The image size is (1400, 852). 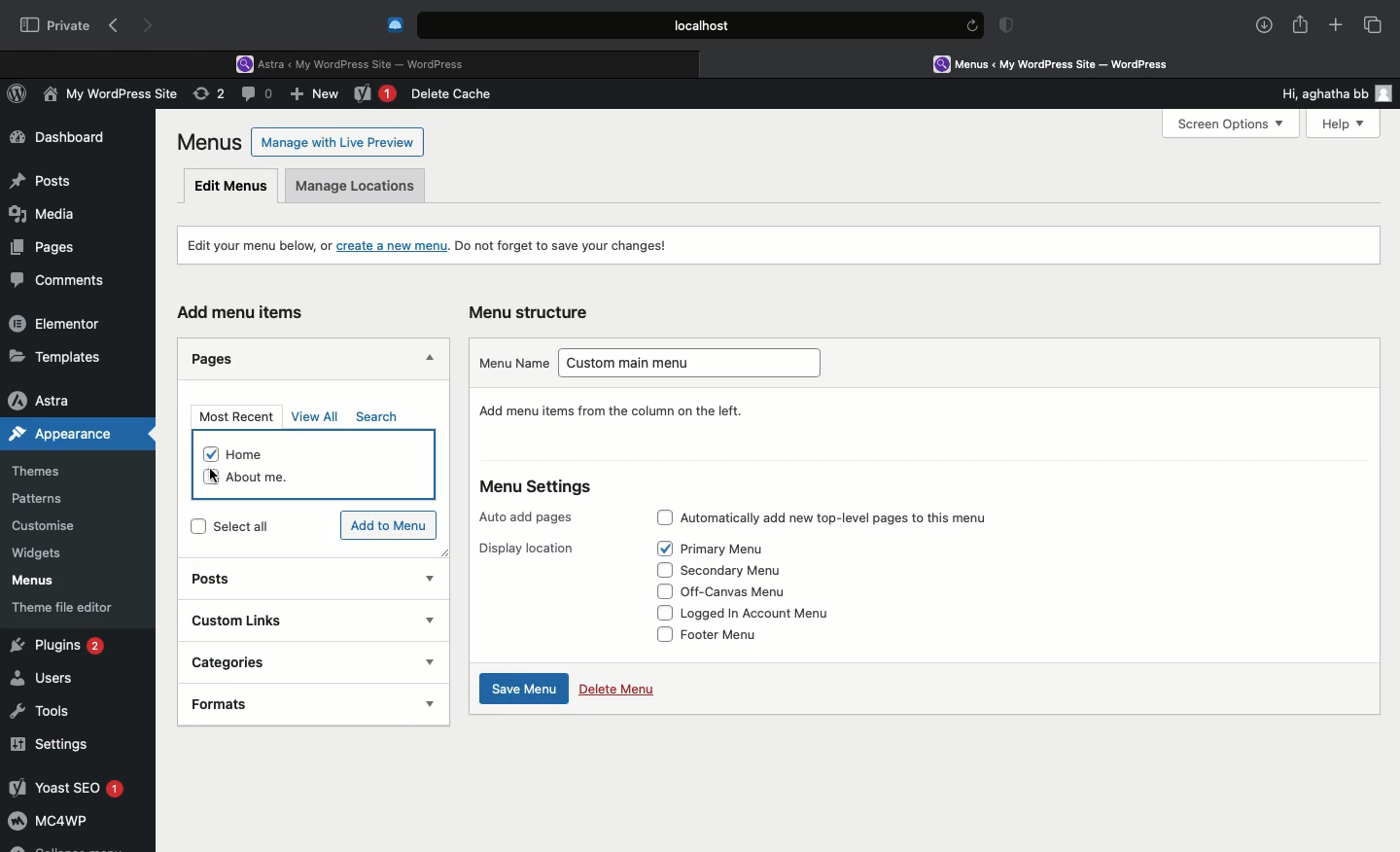 I want to click on Badge, so click(x=1010, y=27).